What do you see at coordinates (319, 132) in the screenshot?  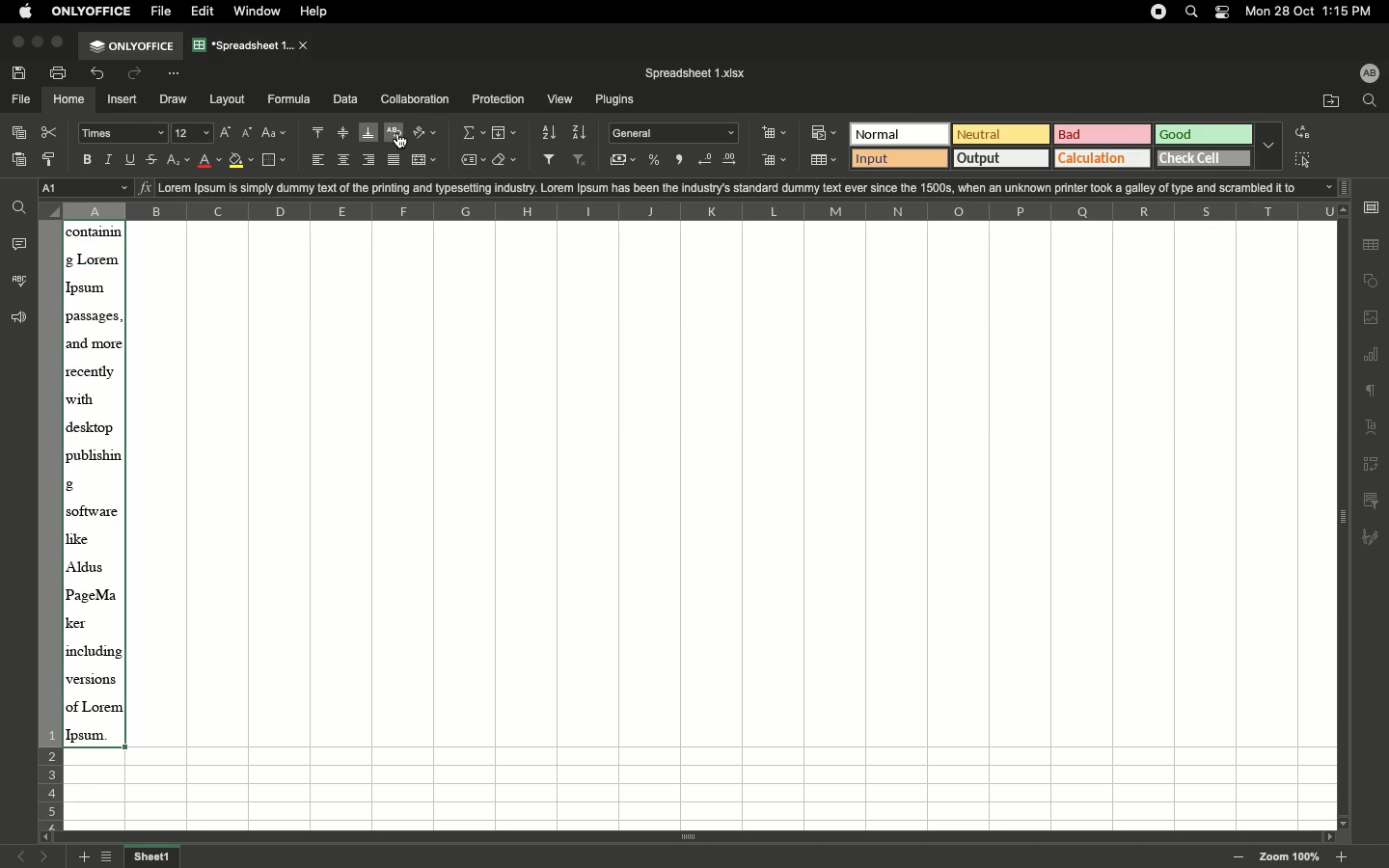 I see `Align top` at bounding box center [319, 132].